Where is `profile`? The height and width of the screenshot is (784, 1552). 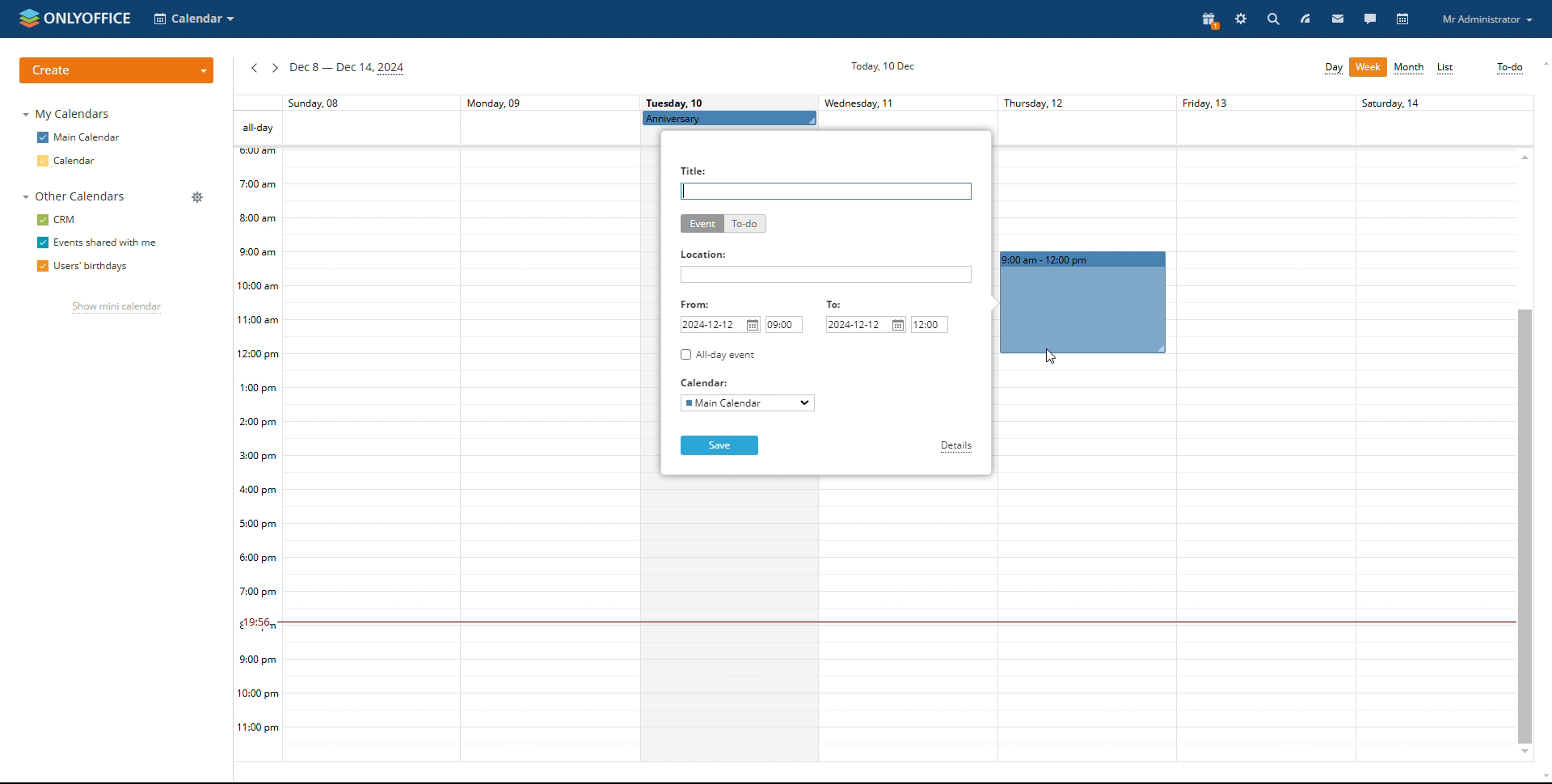 profile is located at coordinates (1487, 19).